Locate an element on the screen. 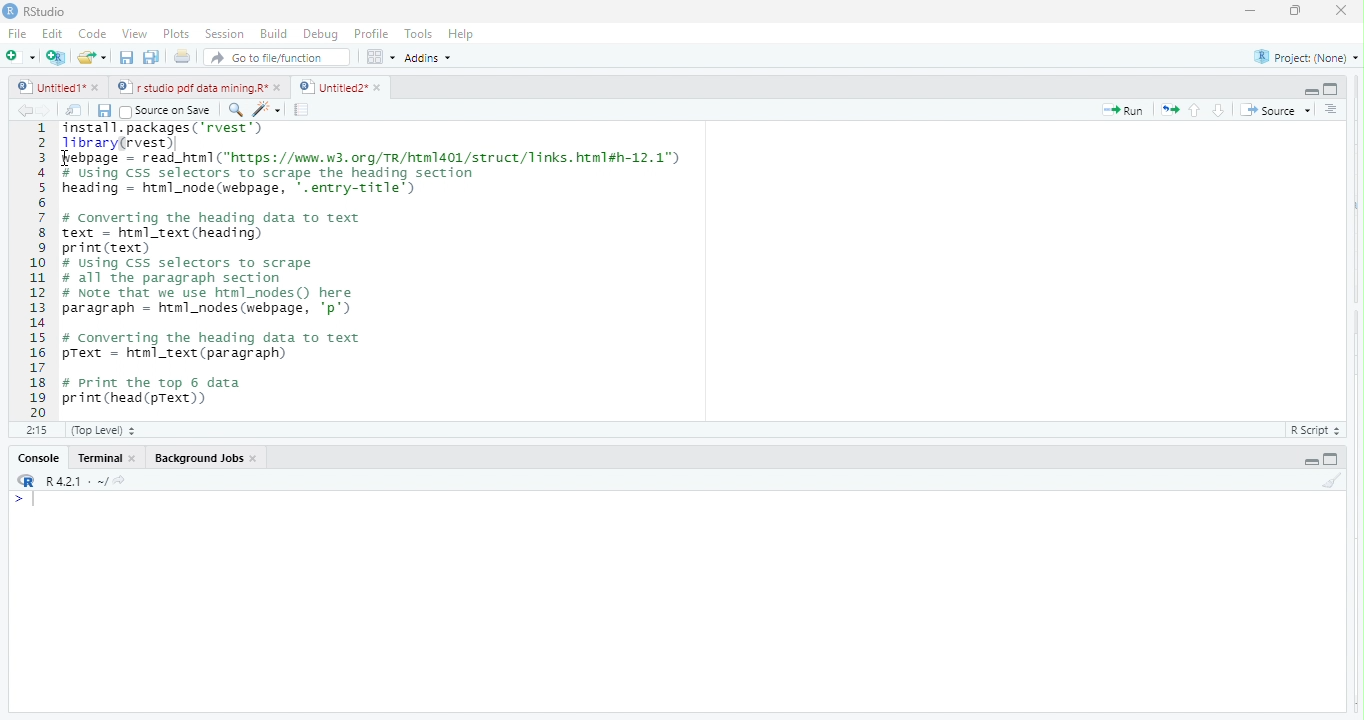 The width and height of the screenshot is (1364, 720). run is located at coordinates (1124, 111).